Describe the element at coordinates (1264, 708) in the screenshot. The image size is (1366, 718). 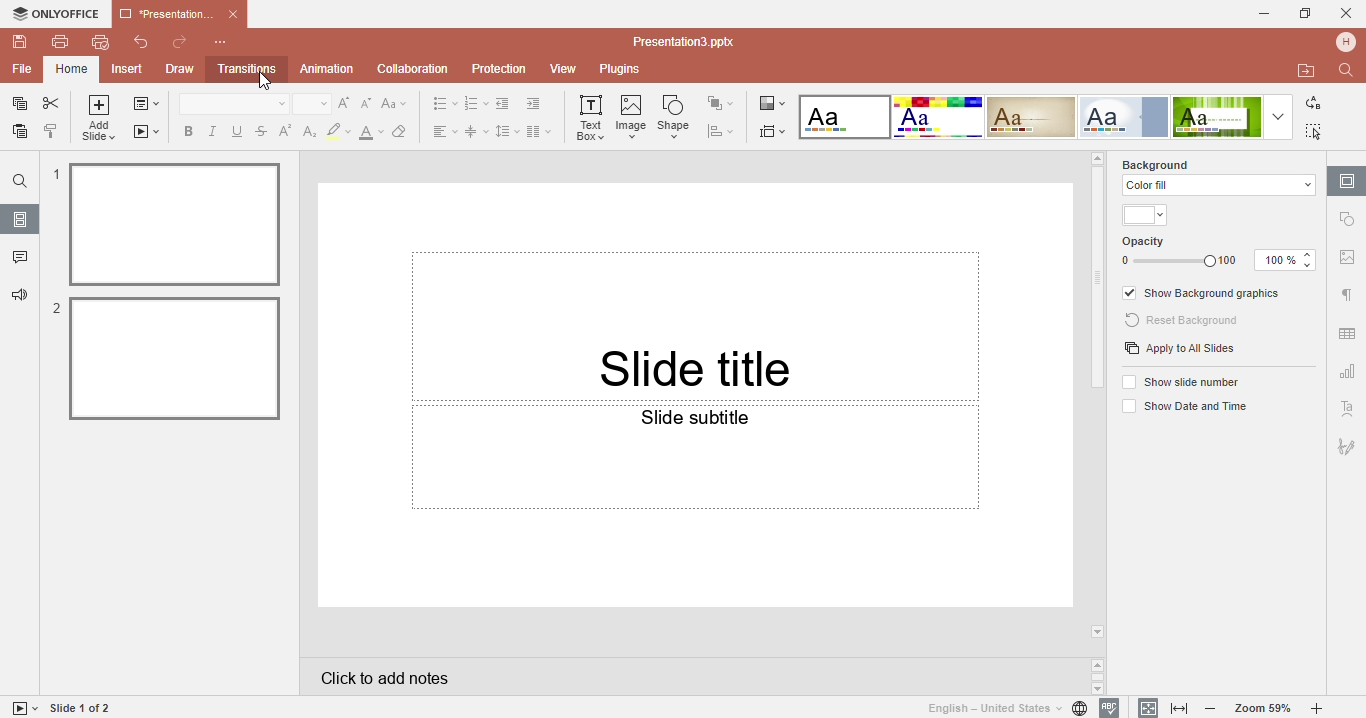
I see `Zoom` at that location.